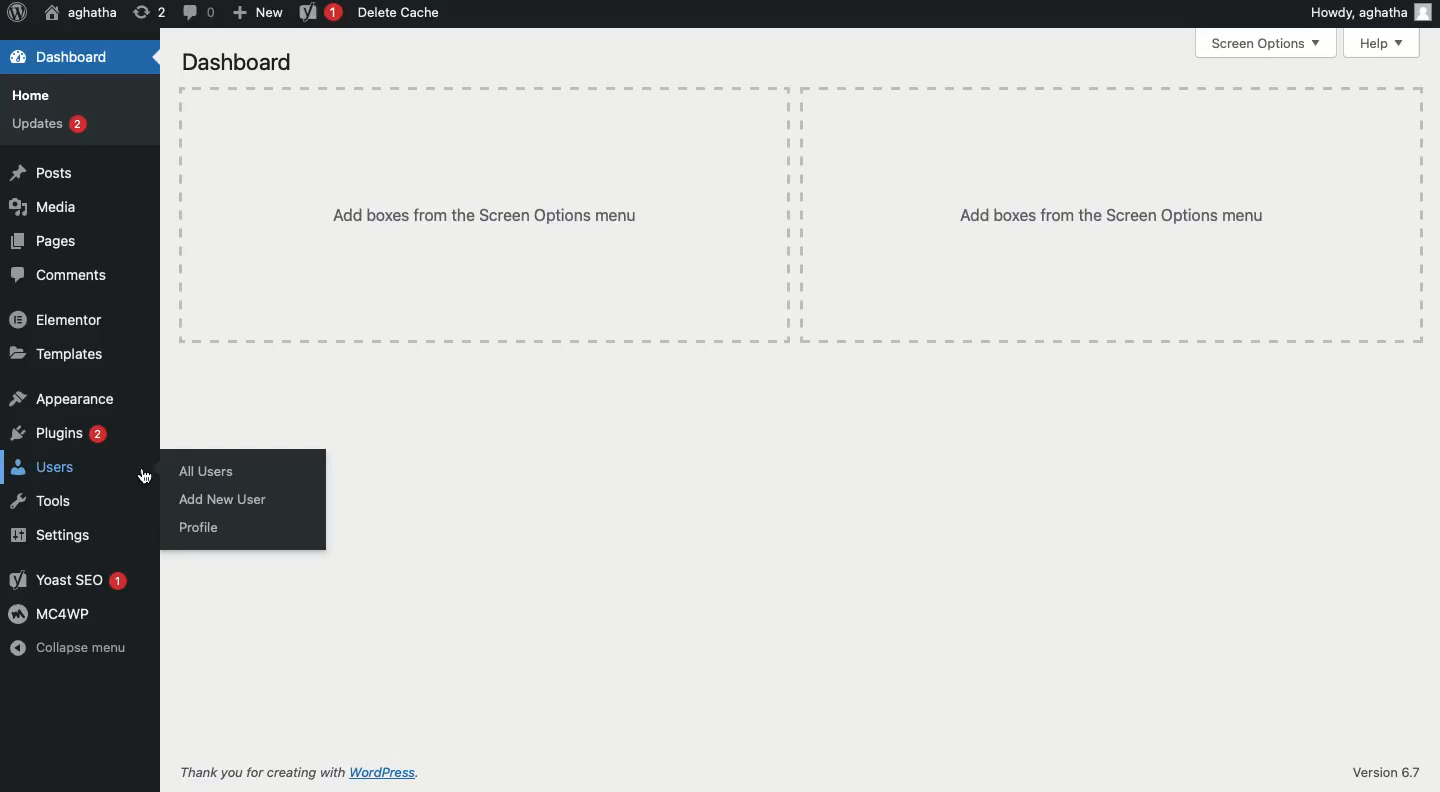 Image resolution: width=1440 pixels, height=792 pixels. What do you see at coordinates (1383, 772) in the screenshot?
I see `Version 6.7` at bounding box center [1383, 772].